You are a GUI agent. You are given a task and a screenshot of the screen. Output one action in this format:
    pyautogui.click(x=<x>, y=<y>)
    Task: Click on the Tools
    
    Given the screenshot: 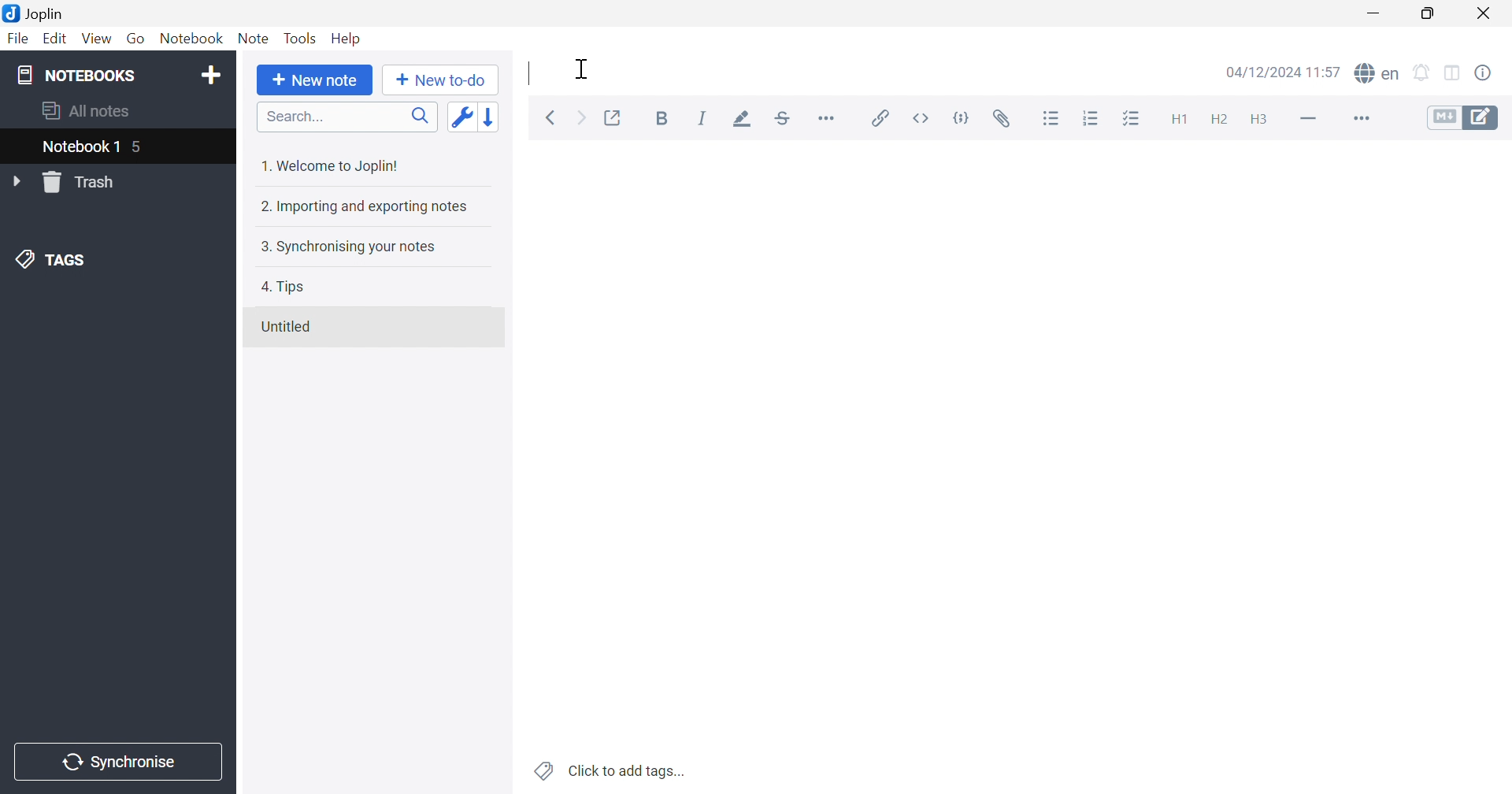 What is the action you would take?
    pyautogui.click(x=301, y=38)
    